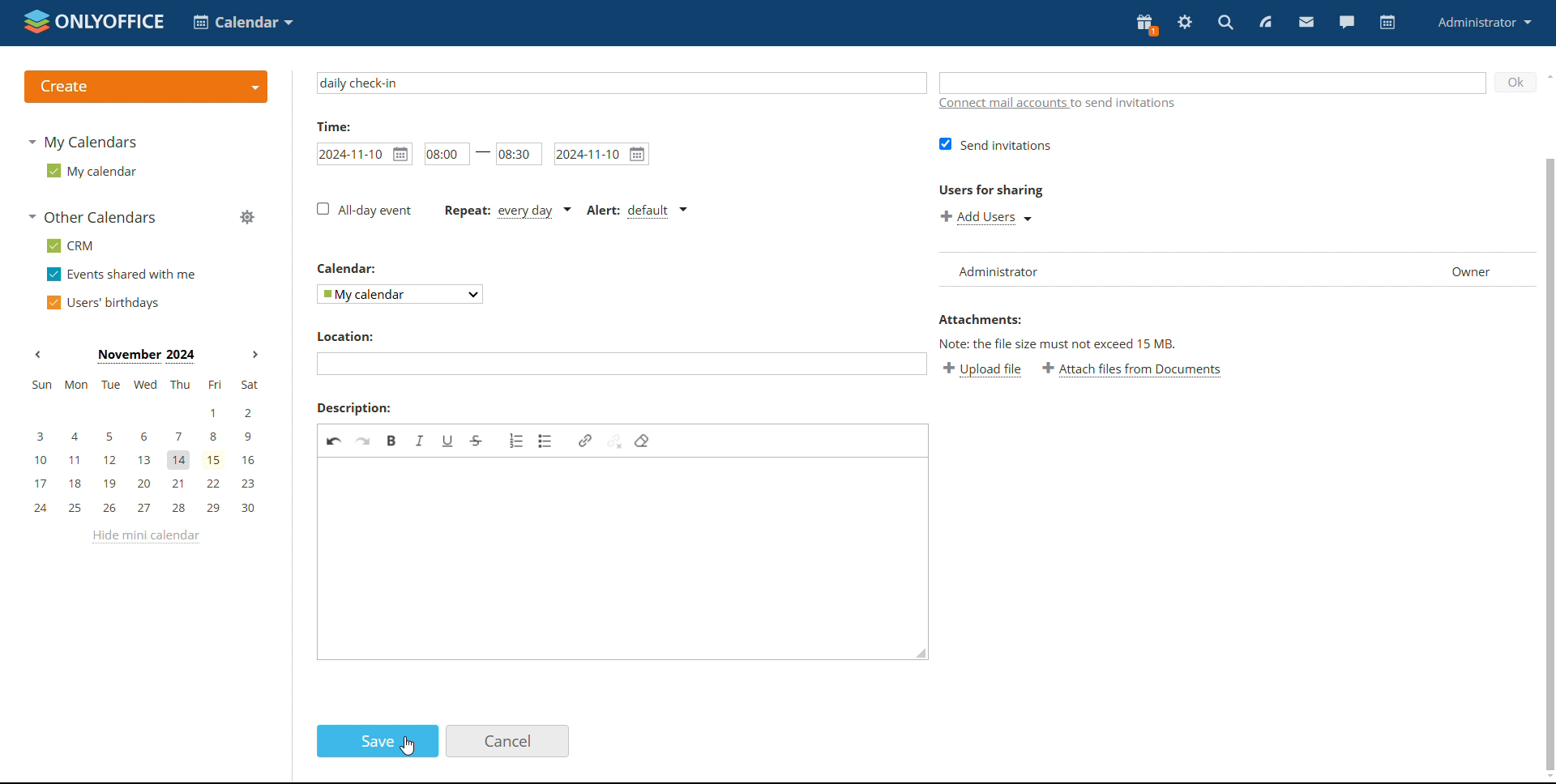 Image resolution: width=1556 pixels, height=784 pixels. What do you see at coordinates (102, 303) in the screenshot?
I see `users' birthdays` at bounding box center [102, 303].